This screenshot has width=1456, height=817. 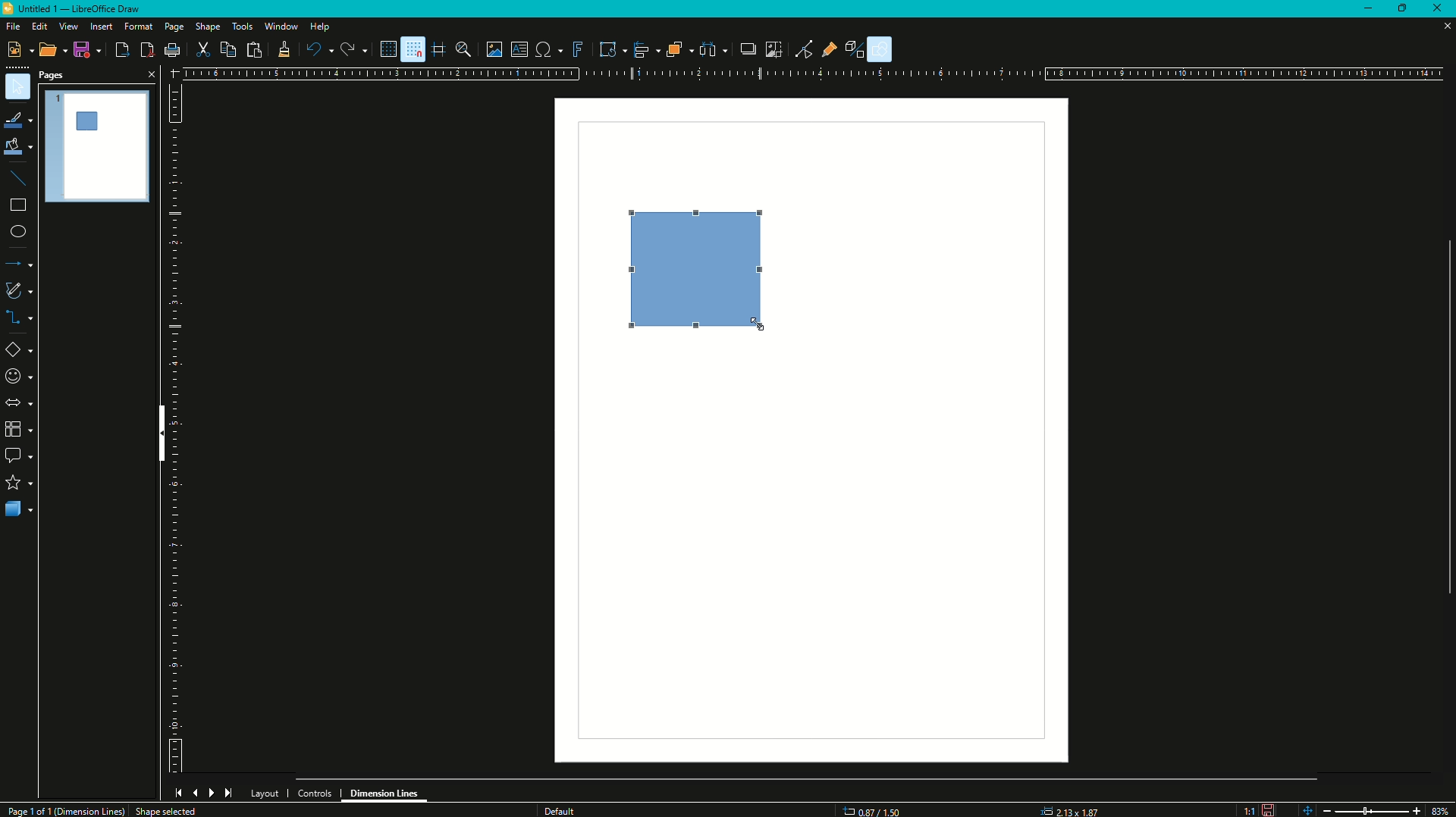 I want to click on Restore, so click(x=1405, y=7).